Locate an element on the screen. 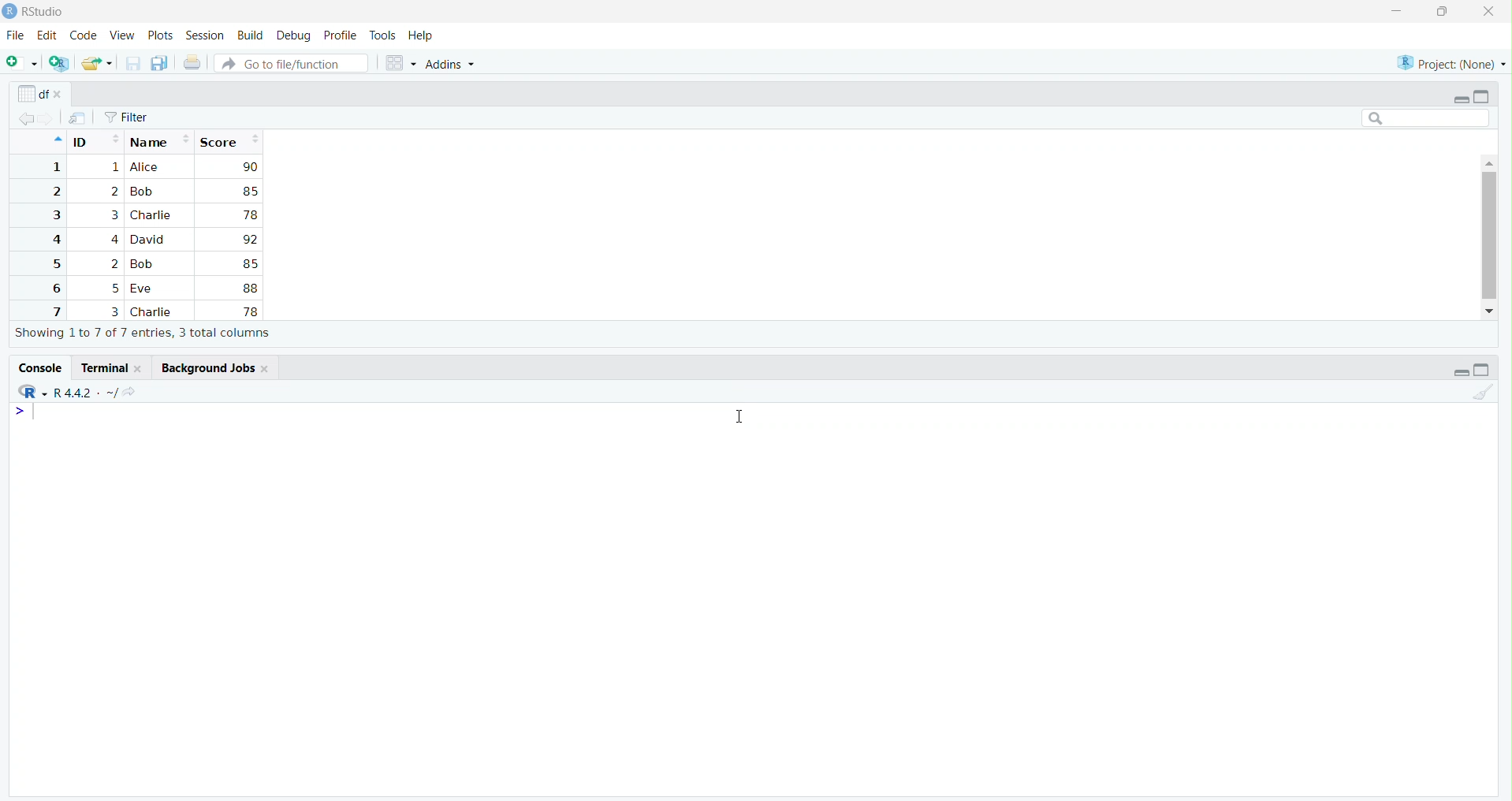  View is located at coordinates (122, 37).